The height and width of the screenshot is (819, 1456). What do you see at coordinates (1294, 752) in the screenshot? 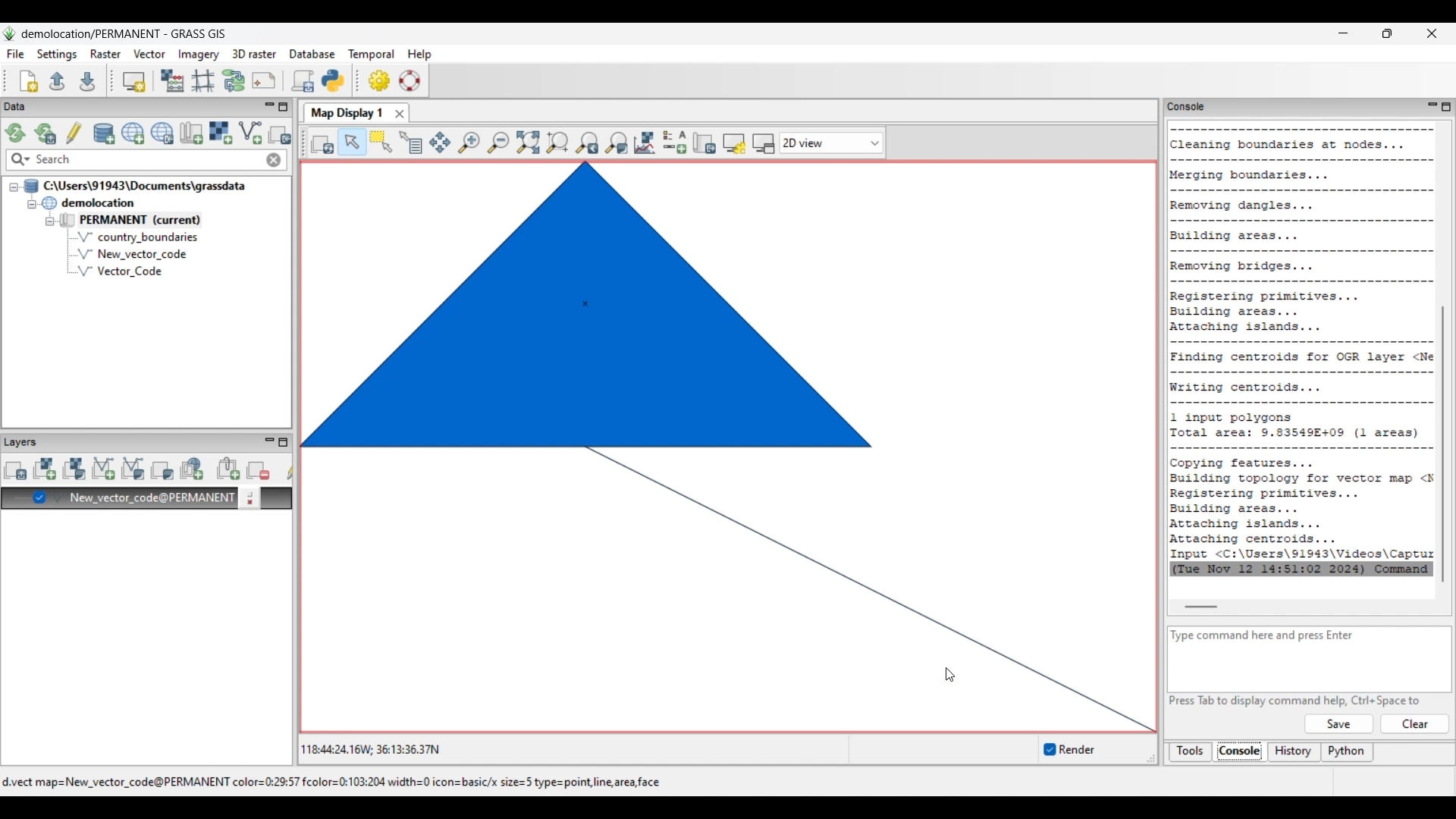
I see `History` at bounding box center [1294, 752].